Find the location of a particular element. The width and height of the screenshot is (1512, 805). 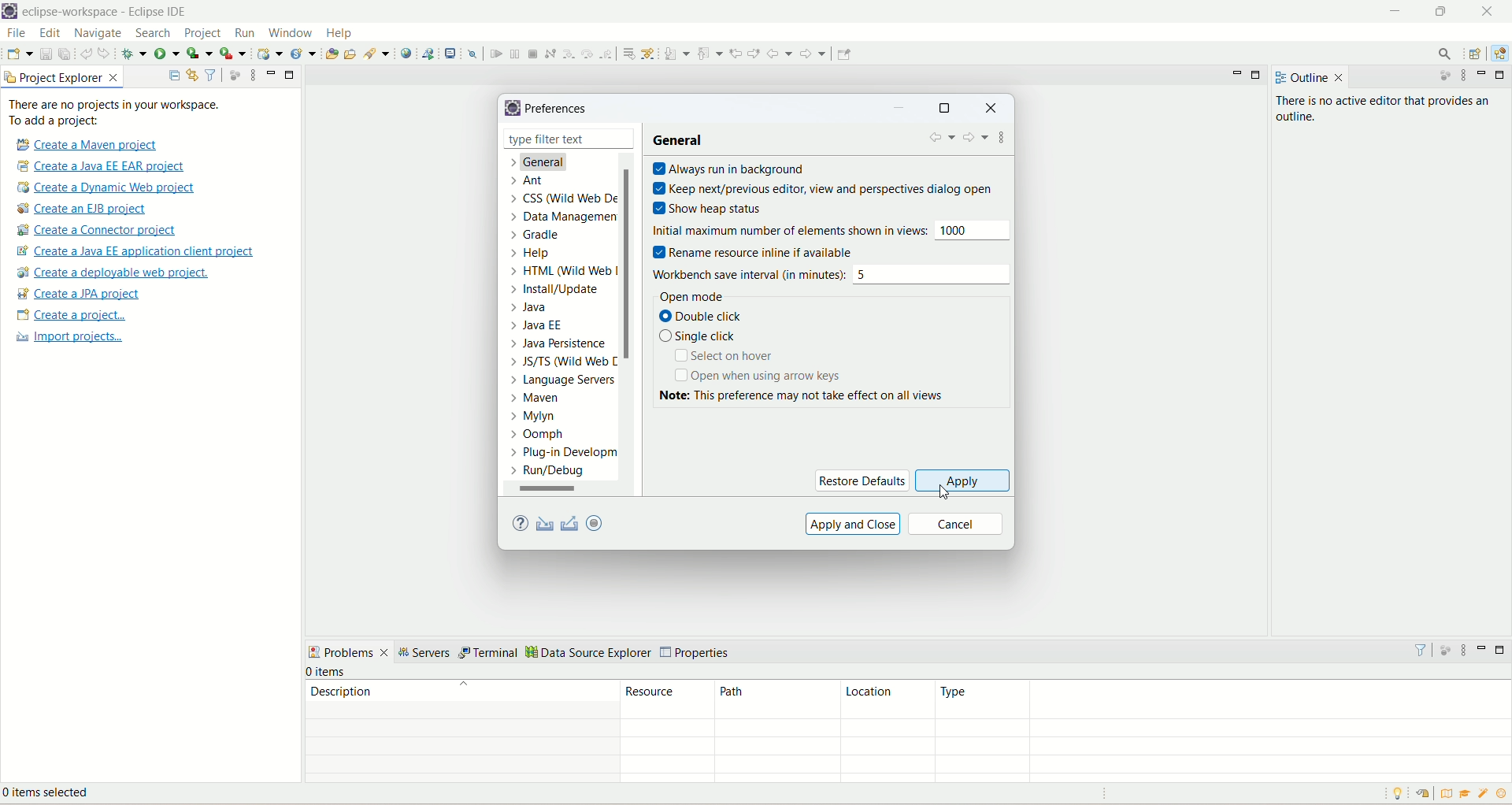

resume is located at coordinates (495, 54).